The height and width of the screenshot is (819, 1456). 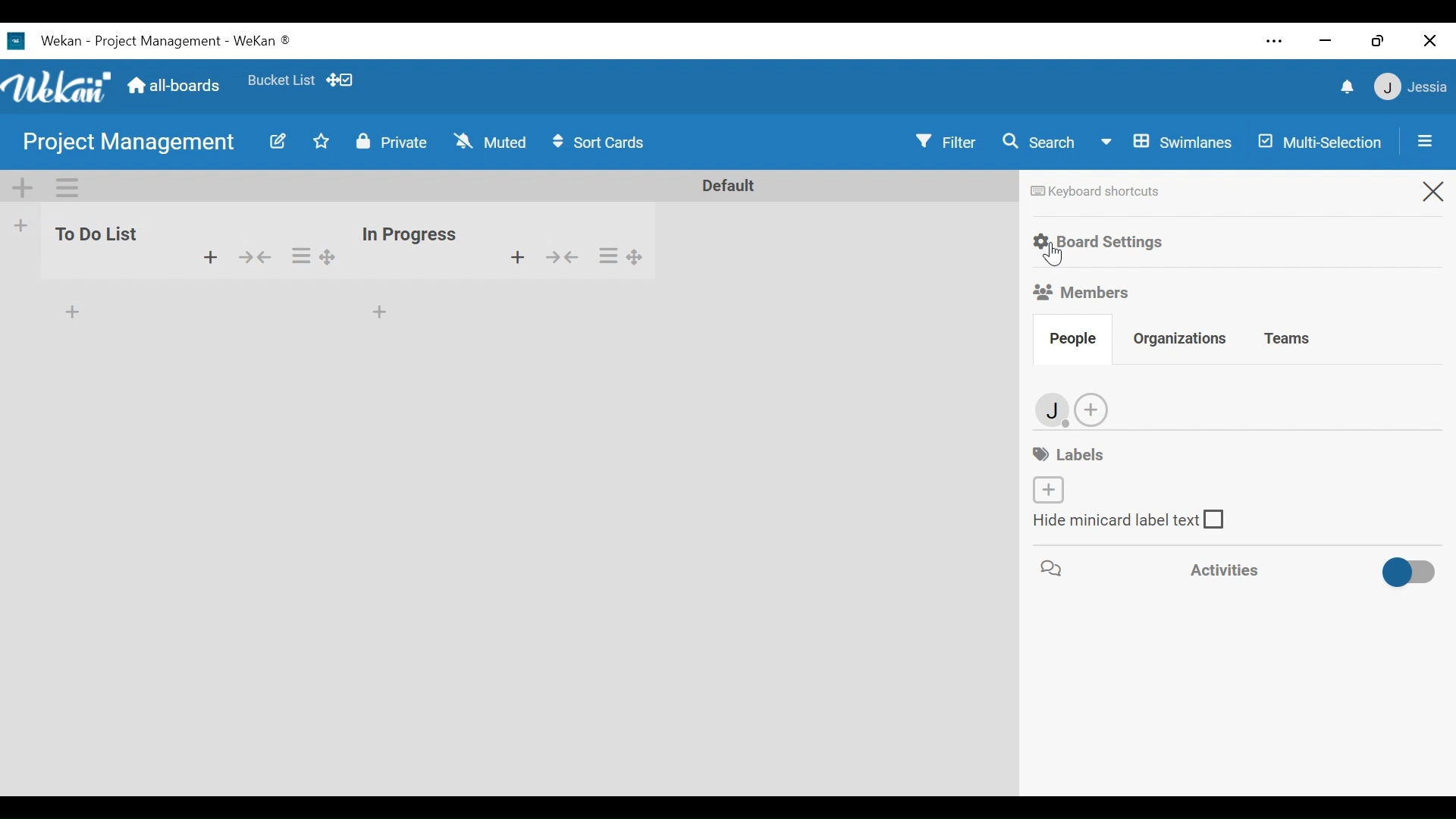 I want to click on People, so click(x=1068, y=339).